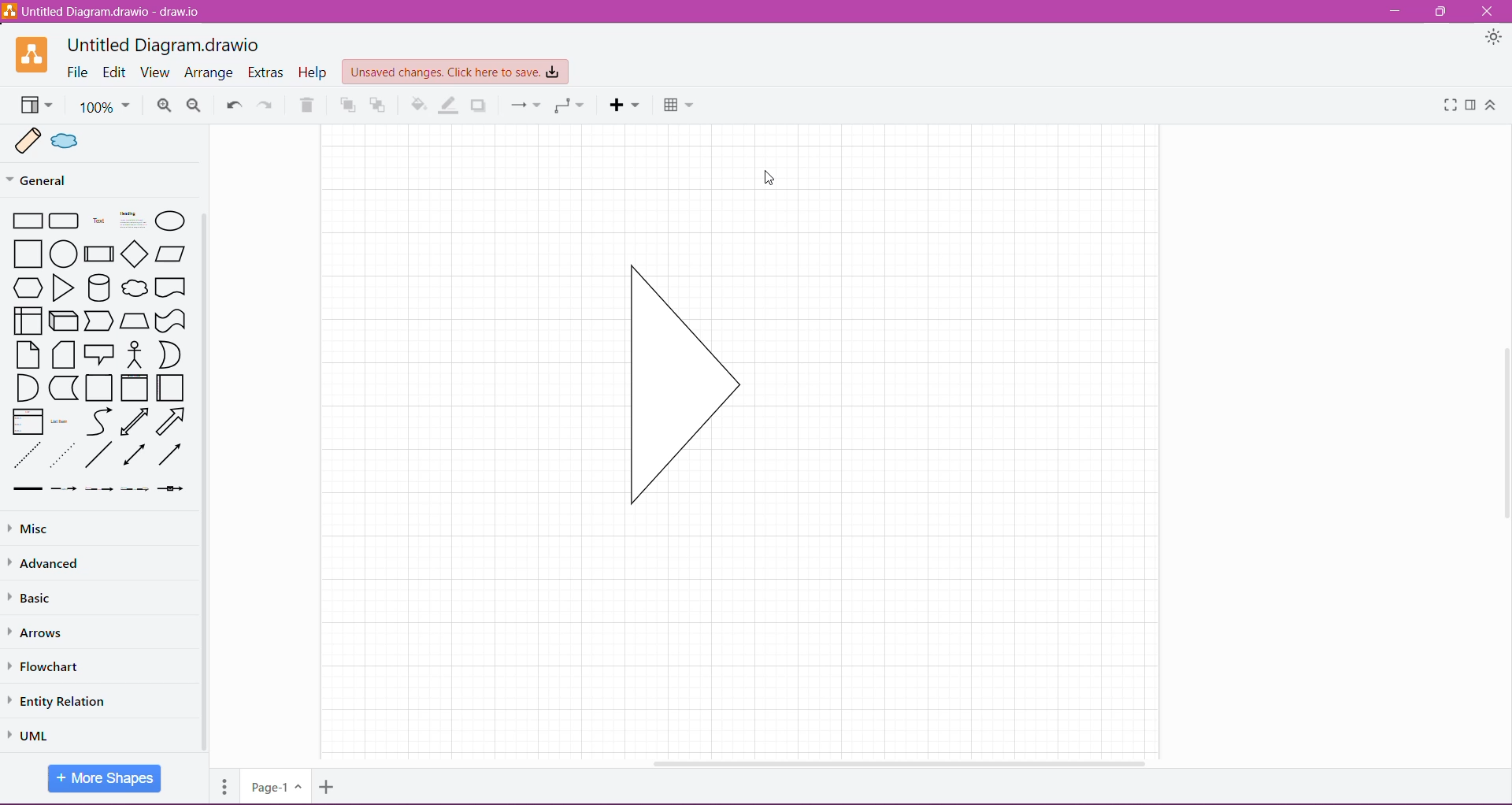 The height and width of the screenshot is (805, 1512). Describe the element at coordinates (1492, 10) in the screenshot. I see `Close` at that location.